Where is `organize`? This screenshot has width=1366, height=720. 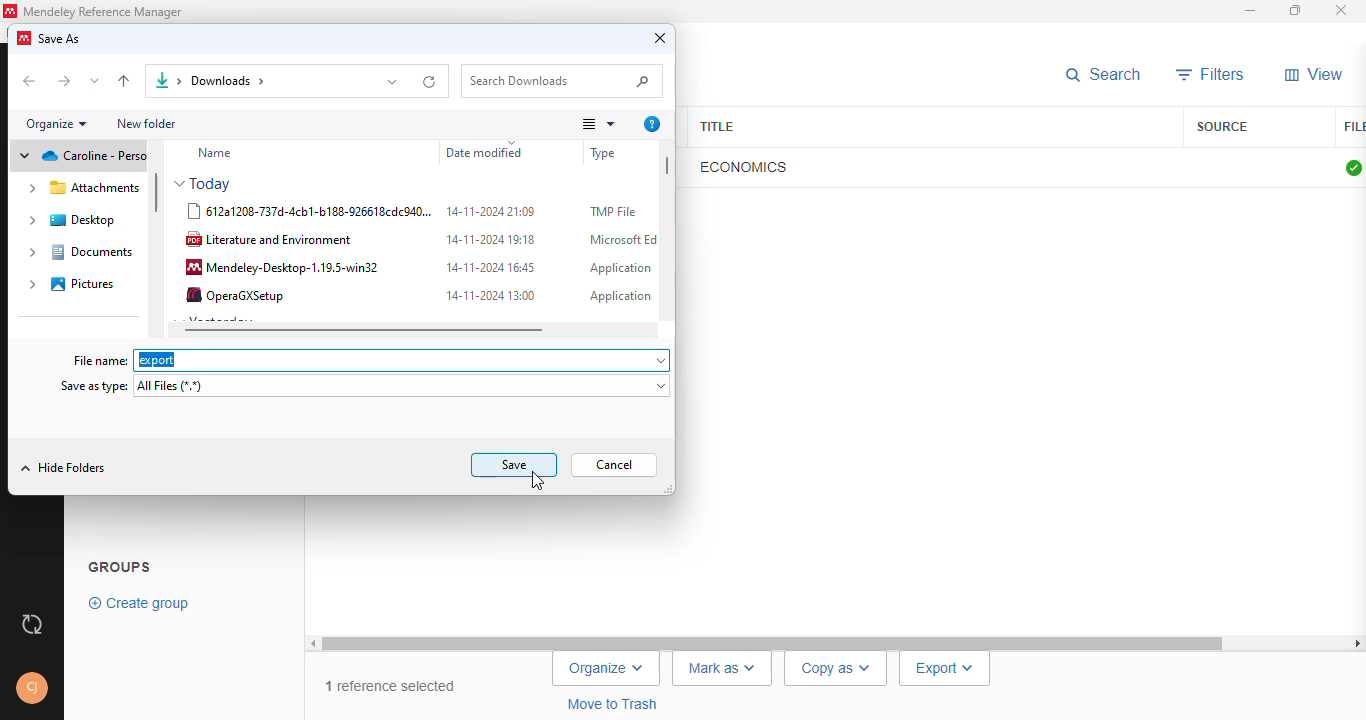
organize is located at coordinates (606, 668).